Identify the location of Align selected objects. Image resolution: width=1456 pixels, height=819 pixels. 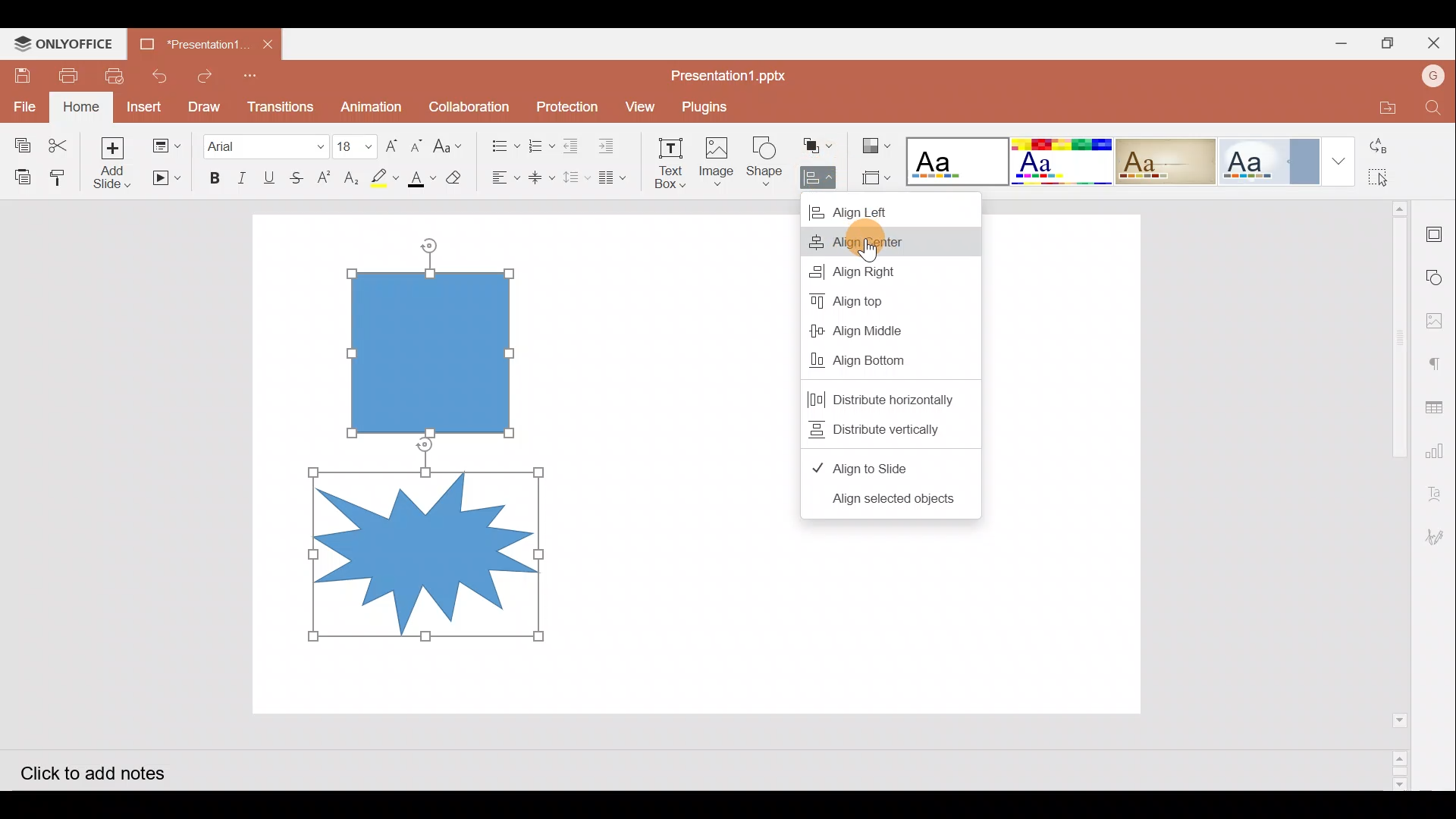
(893, 502).